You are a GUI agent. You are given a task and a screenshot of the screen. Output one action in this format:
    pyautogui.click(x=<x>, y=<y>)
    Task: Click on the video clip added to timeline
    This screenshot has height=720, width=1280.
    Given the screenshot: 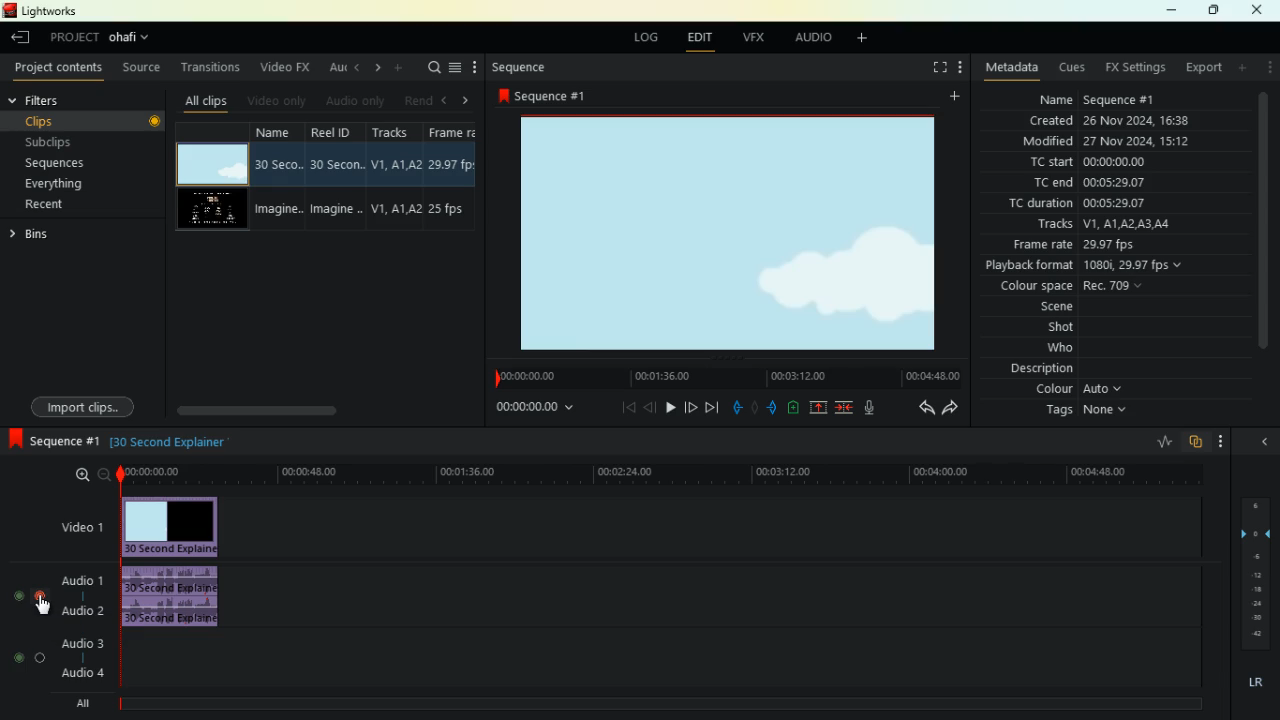 What is the action you would take?
    pyautogui.click(x=171, y=526)
    